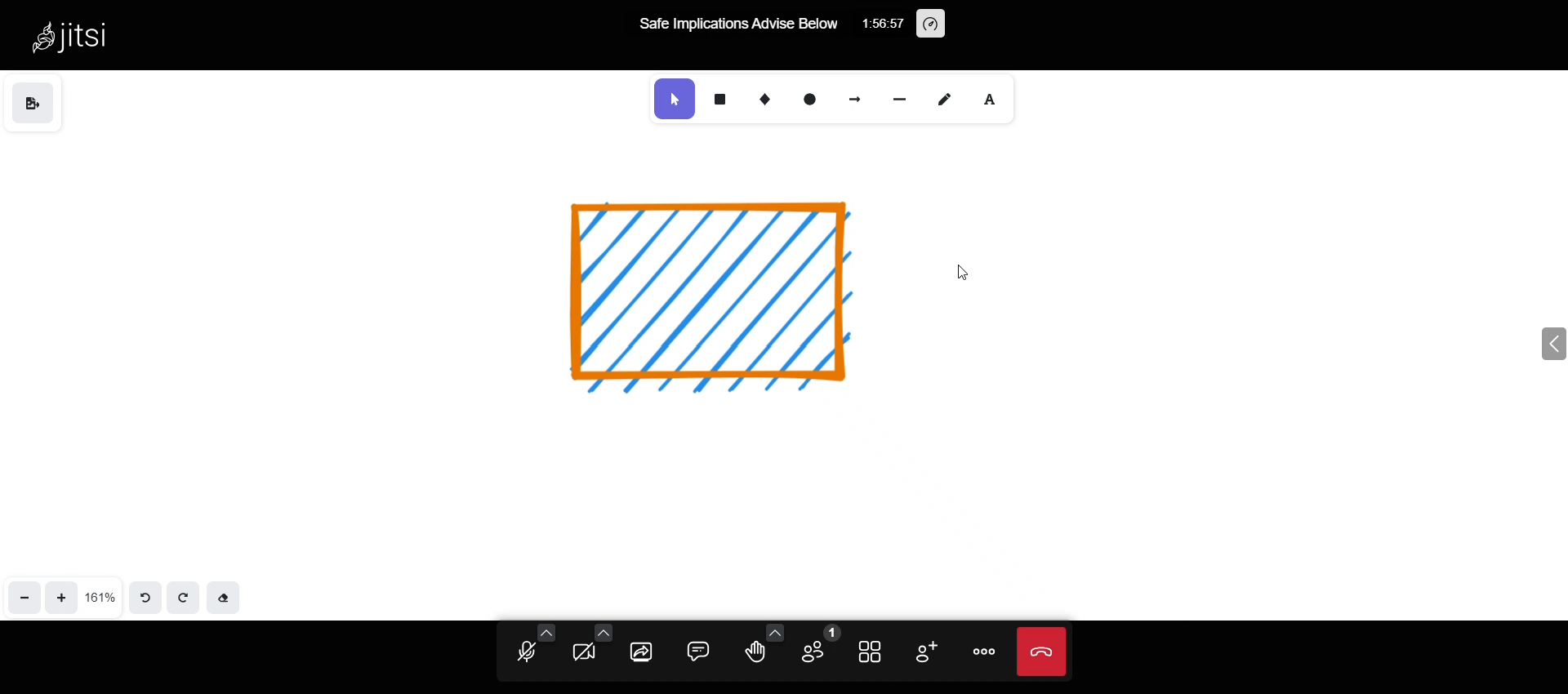  Describe the element at coordinates (227, 594) in the screenshot. I see `eraser` at that location.